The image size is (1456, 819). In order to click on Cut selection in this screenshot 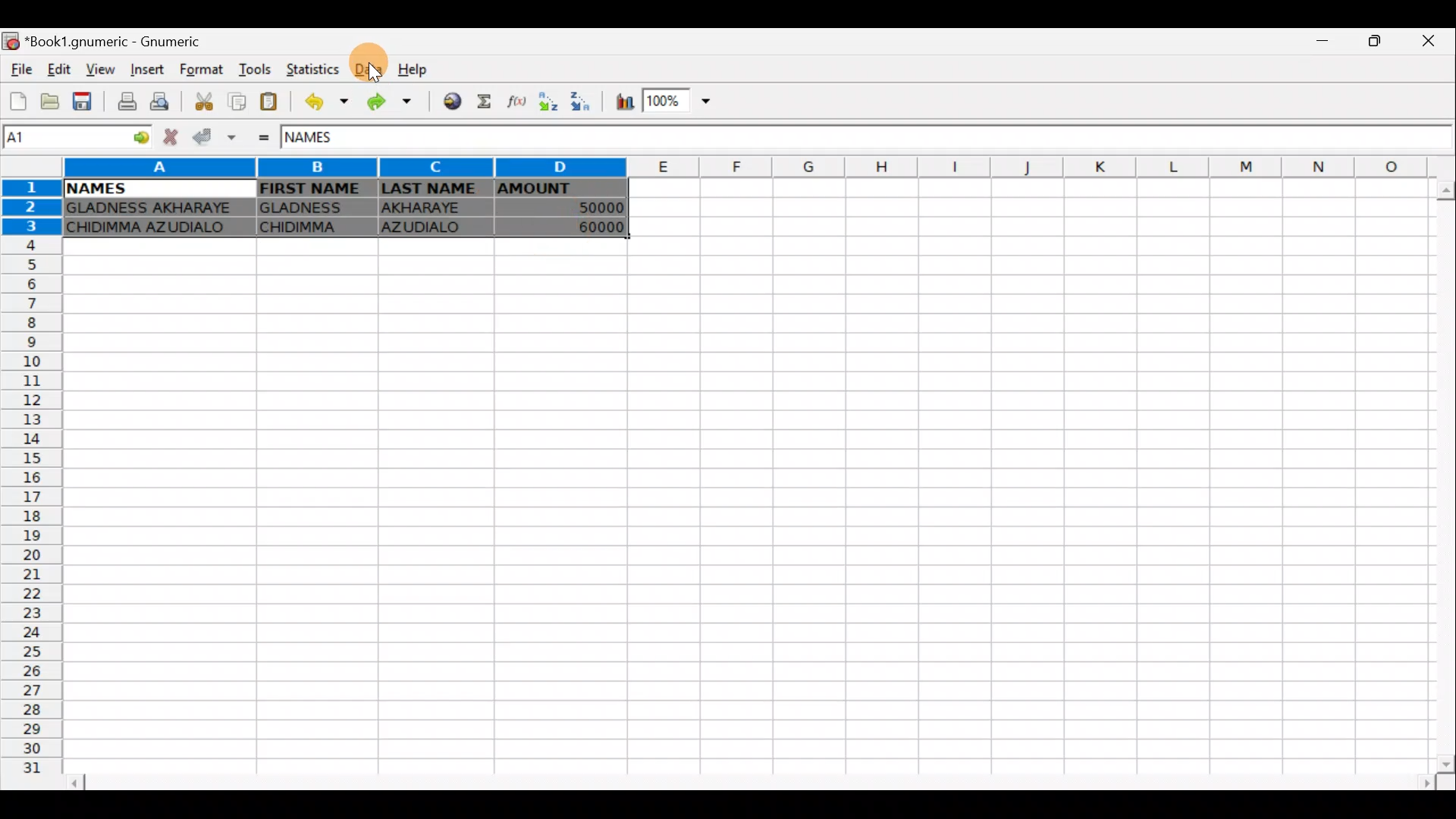, I will do `click(208, 104)`.